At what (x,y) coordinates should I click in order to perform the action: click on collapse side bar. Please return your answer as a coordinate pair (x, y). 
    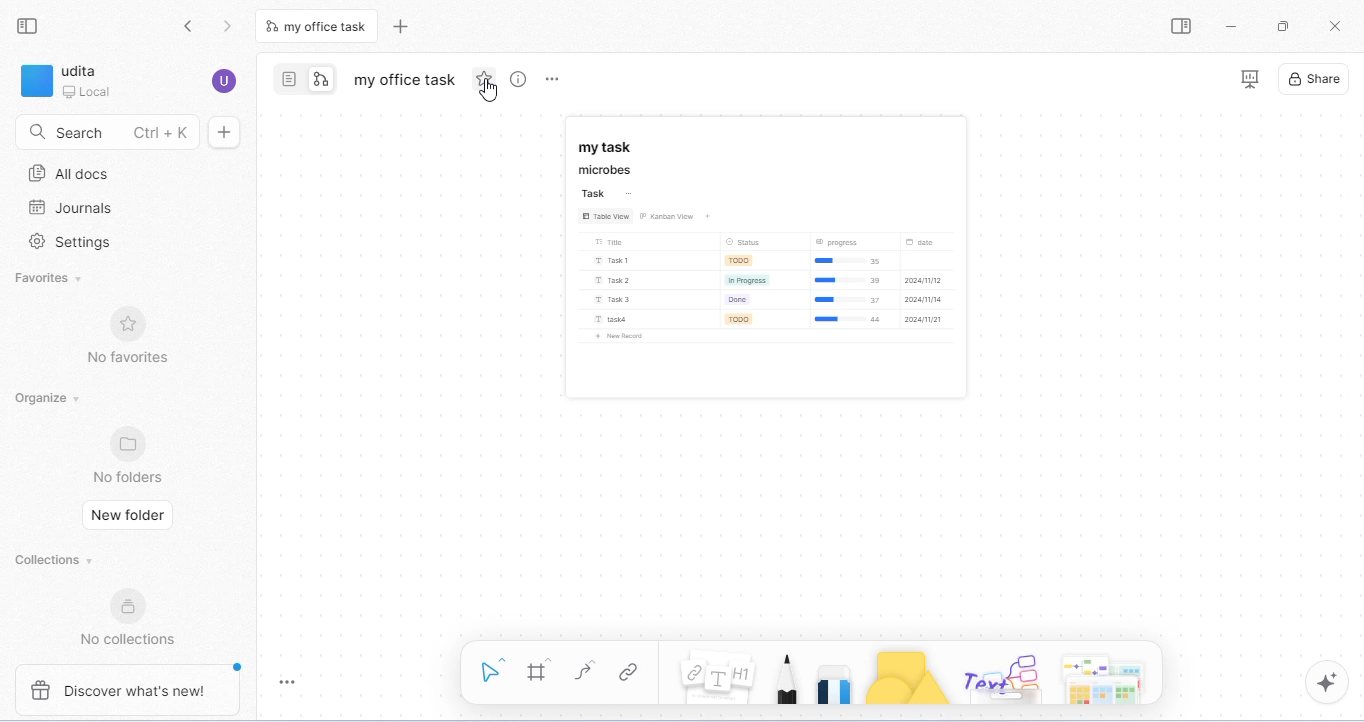
    Looking at the image, I should click on (31, 28).